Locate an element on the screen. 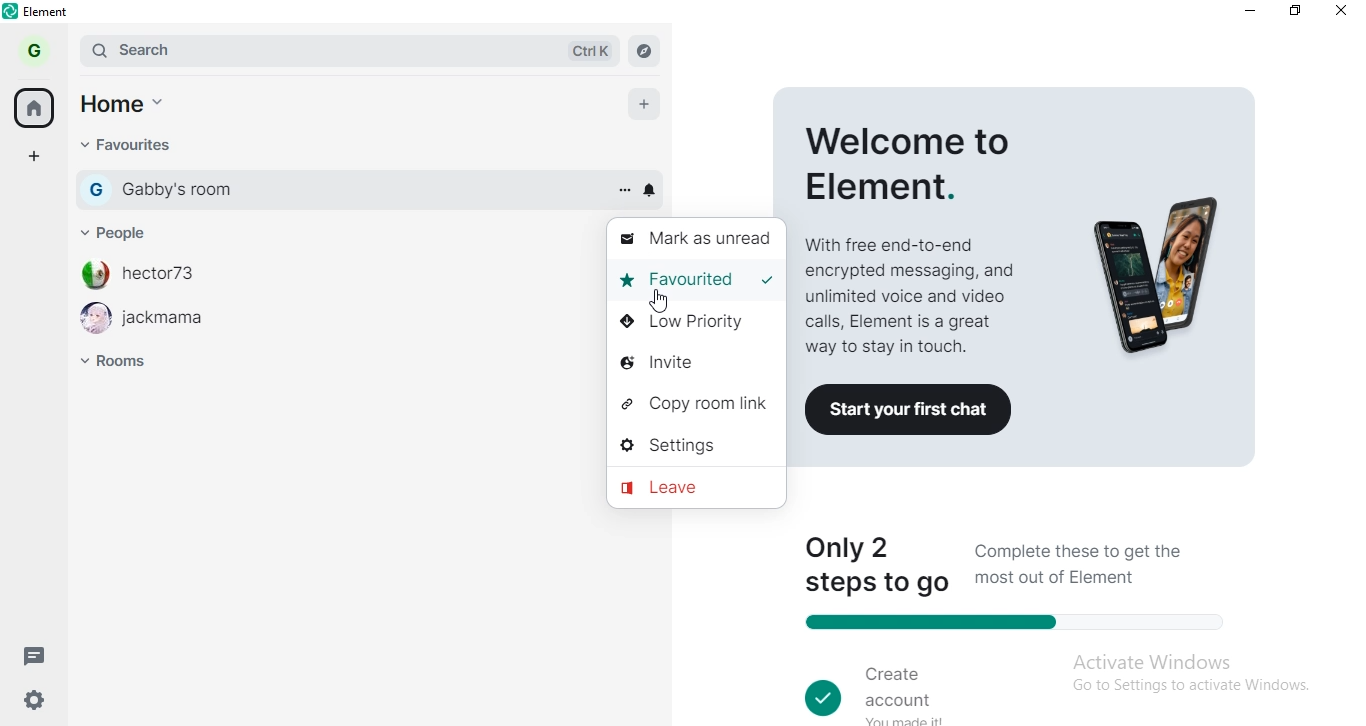 The width and height of the screenshot is (1366, 726). low priority is located at coordinates (696, 325).